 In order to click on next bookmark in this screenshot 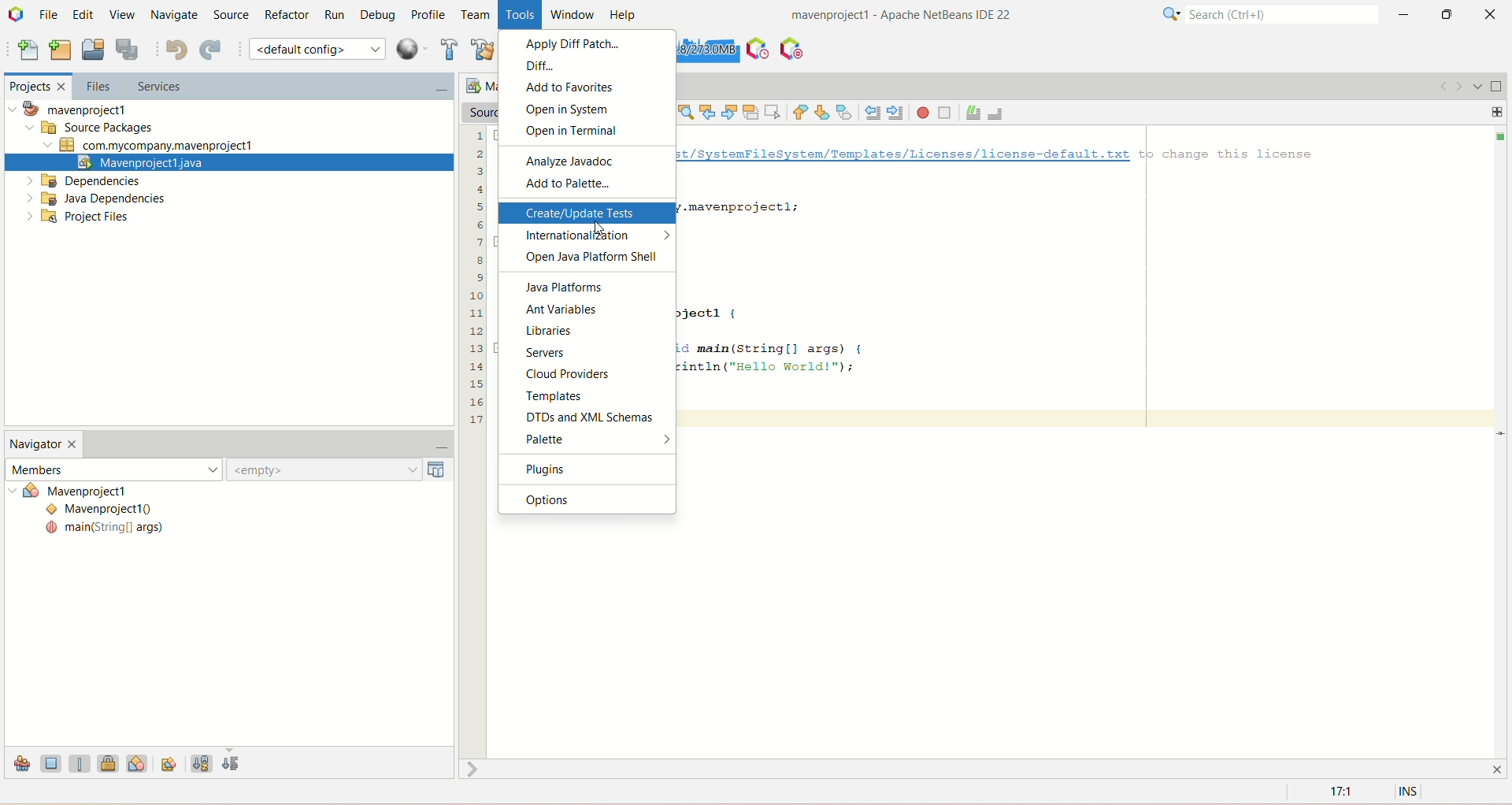, I will do `click(825, 111)`.